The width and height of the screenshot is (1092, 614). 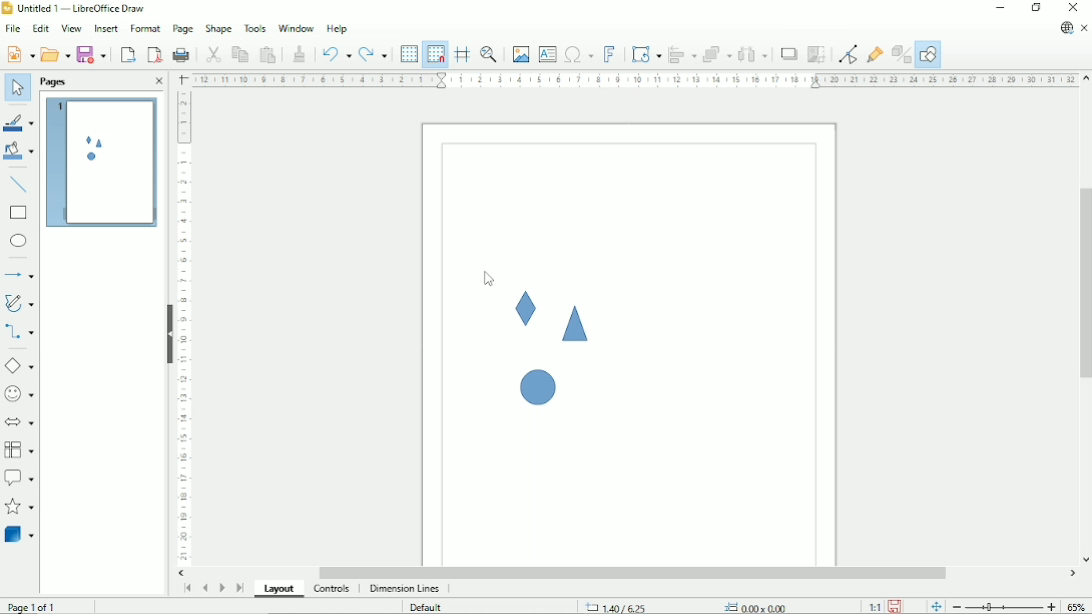 I want to click on Open, so click(x=54, y=53).